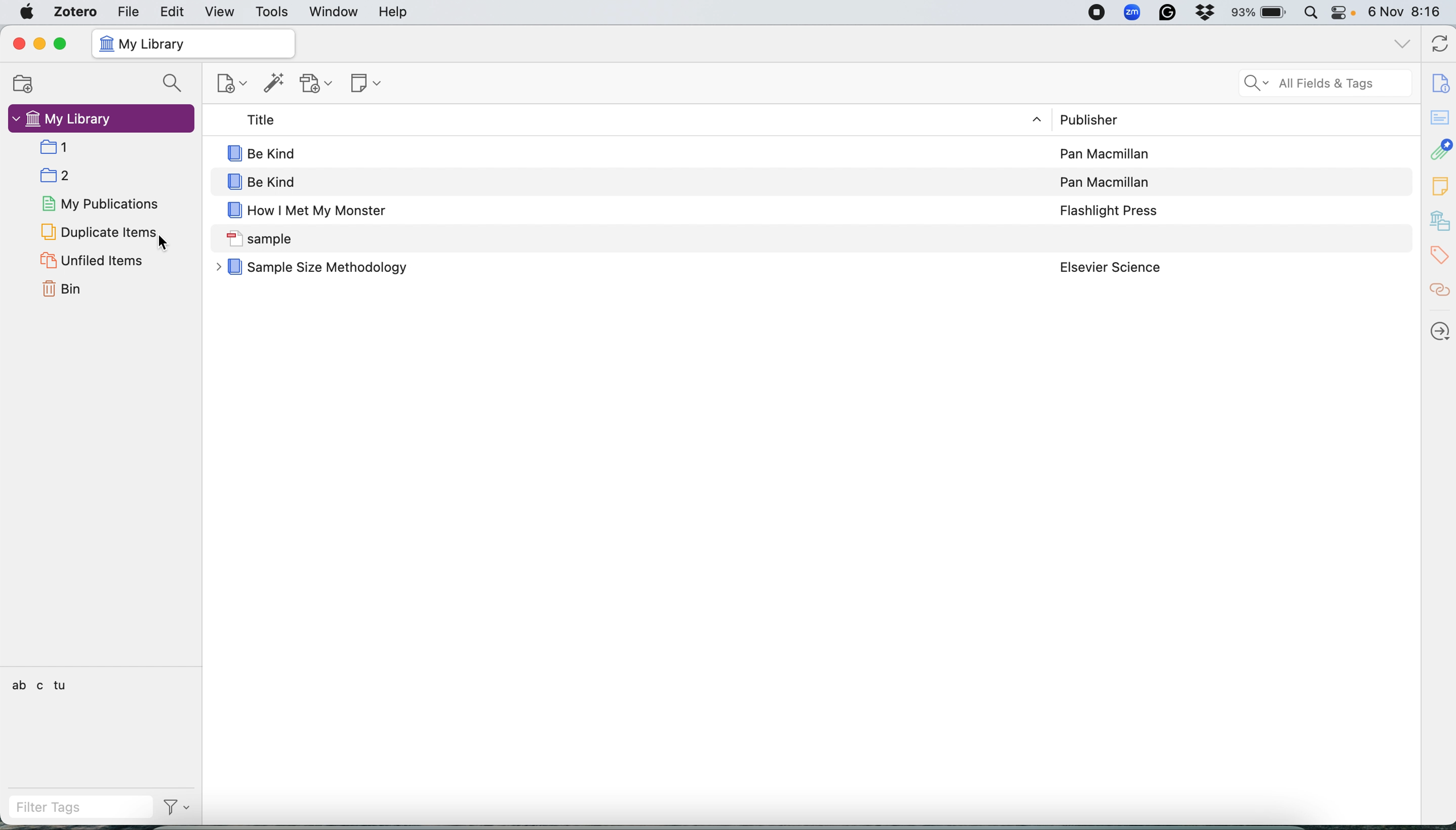 The height and width of the screenshot is (830, 1456). Describe the element at coordinates (1107, 266) in the screenshot. I see `Elsevier Science` at that location.